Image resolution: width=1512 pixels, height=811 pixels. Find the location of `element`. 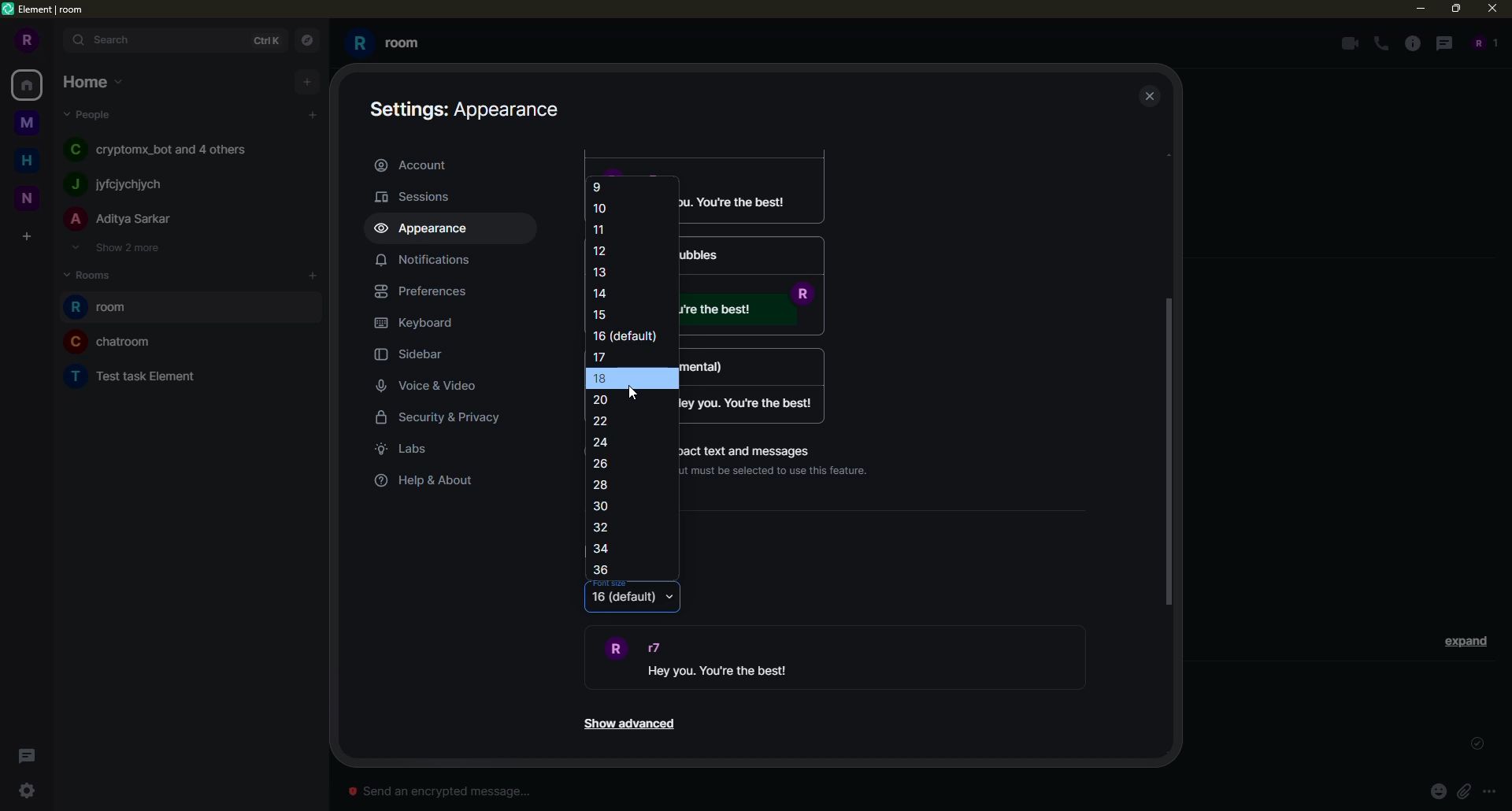

element is located at coordinates (46, 10).